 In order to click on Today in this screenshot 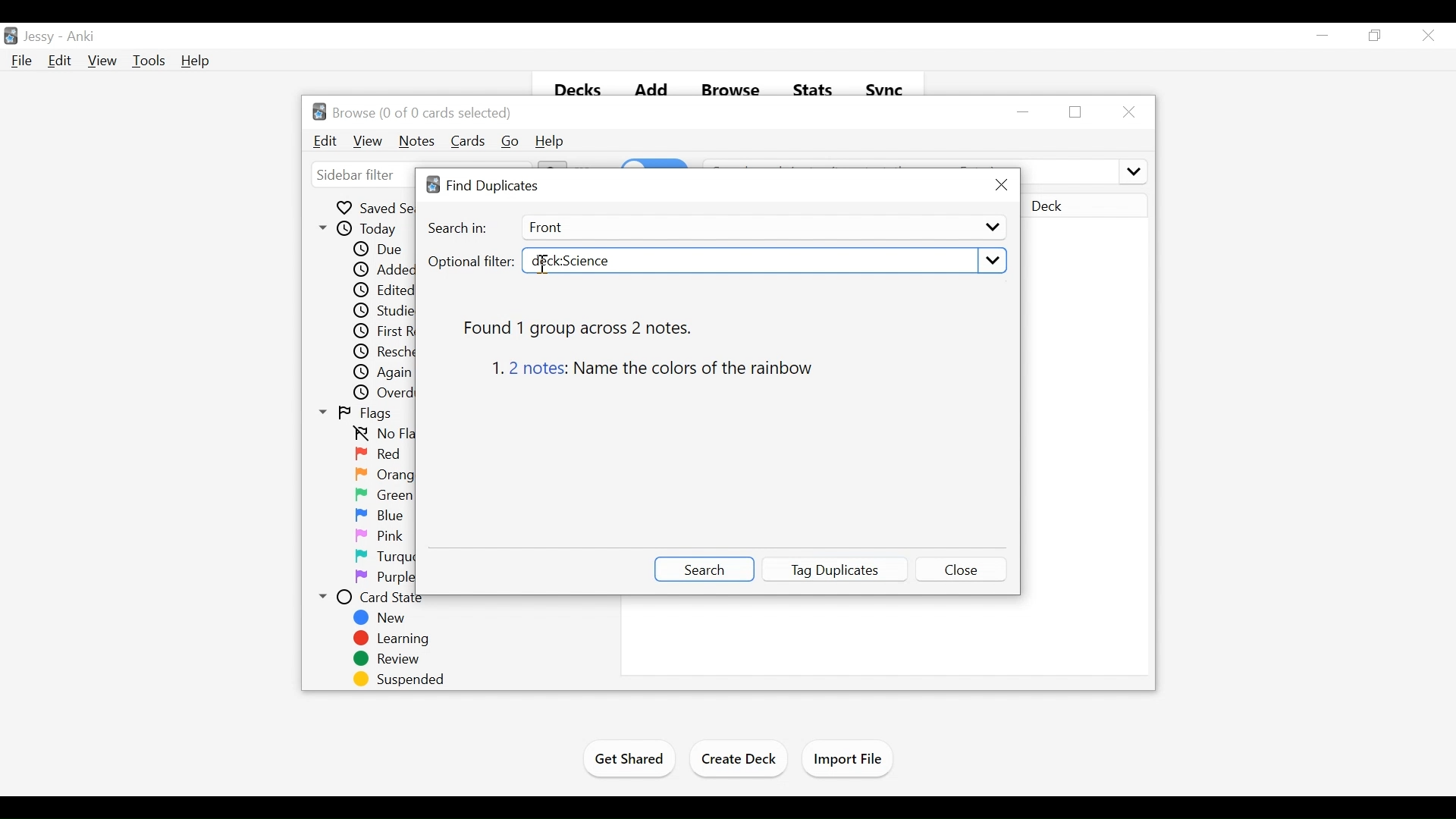, I will do `click(360, 229)`.